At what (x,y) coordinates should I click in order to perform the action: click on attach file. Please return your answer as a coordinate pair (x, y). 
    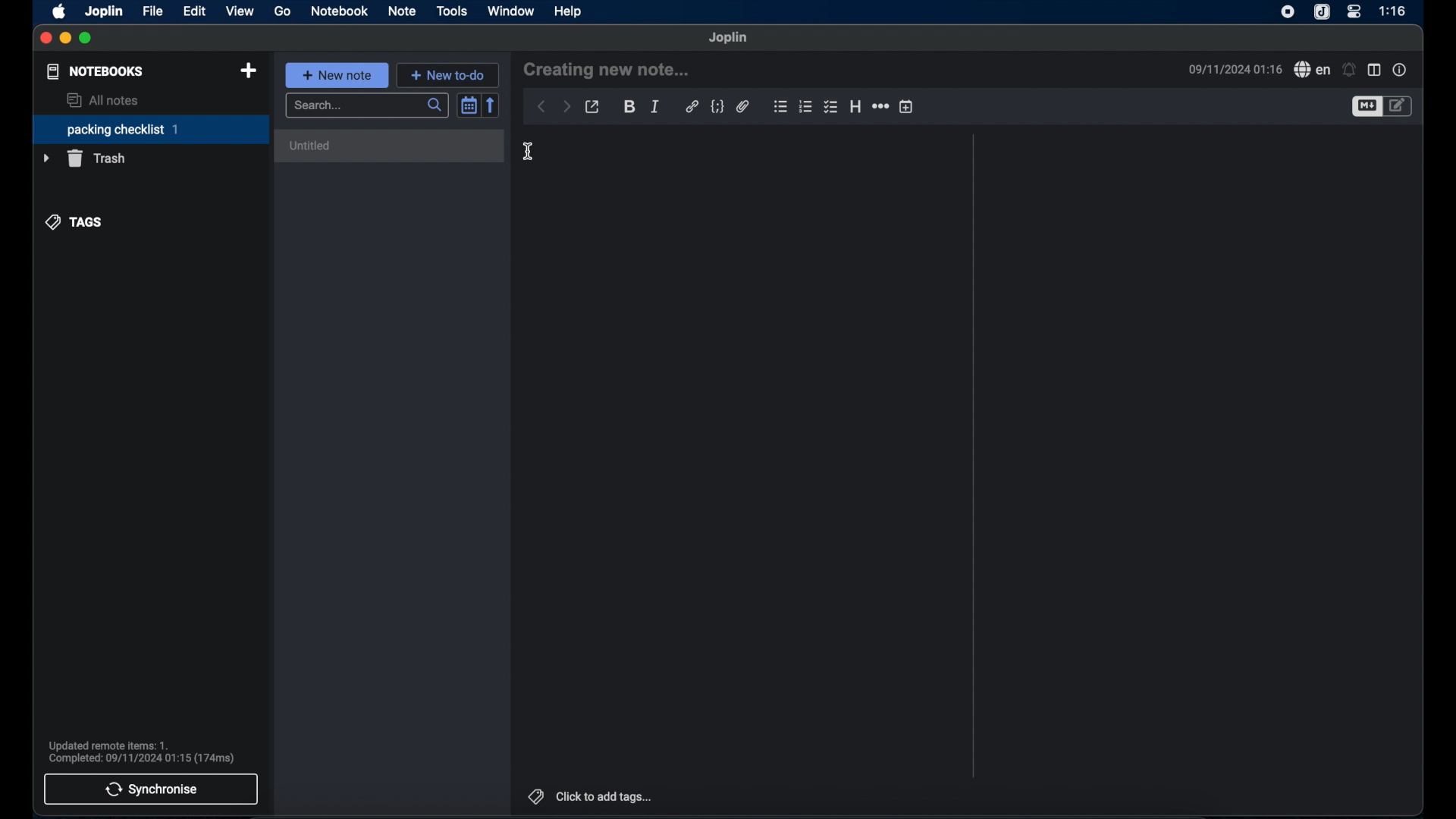
    Looking at the image, I should click on (742, 106).